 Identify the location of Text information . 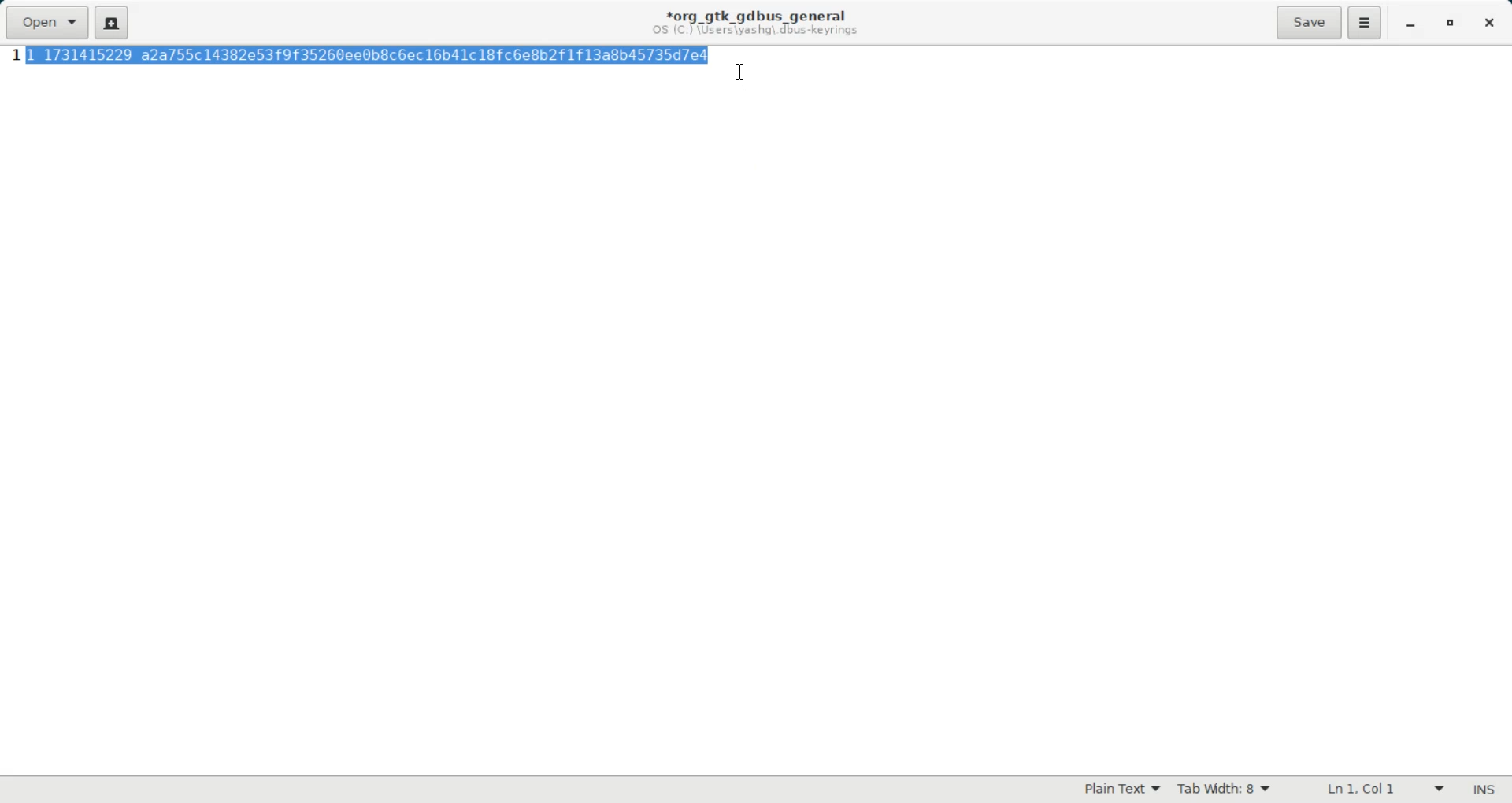
(755, 22).